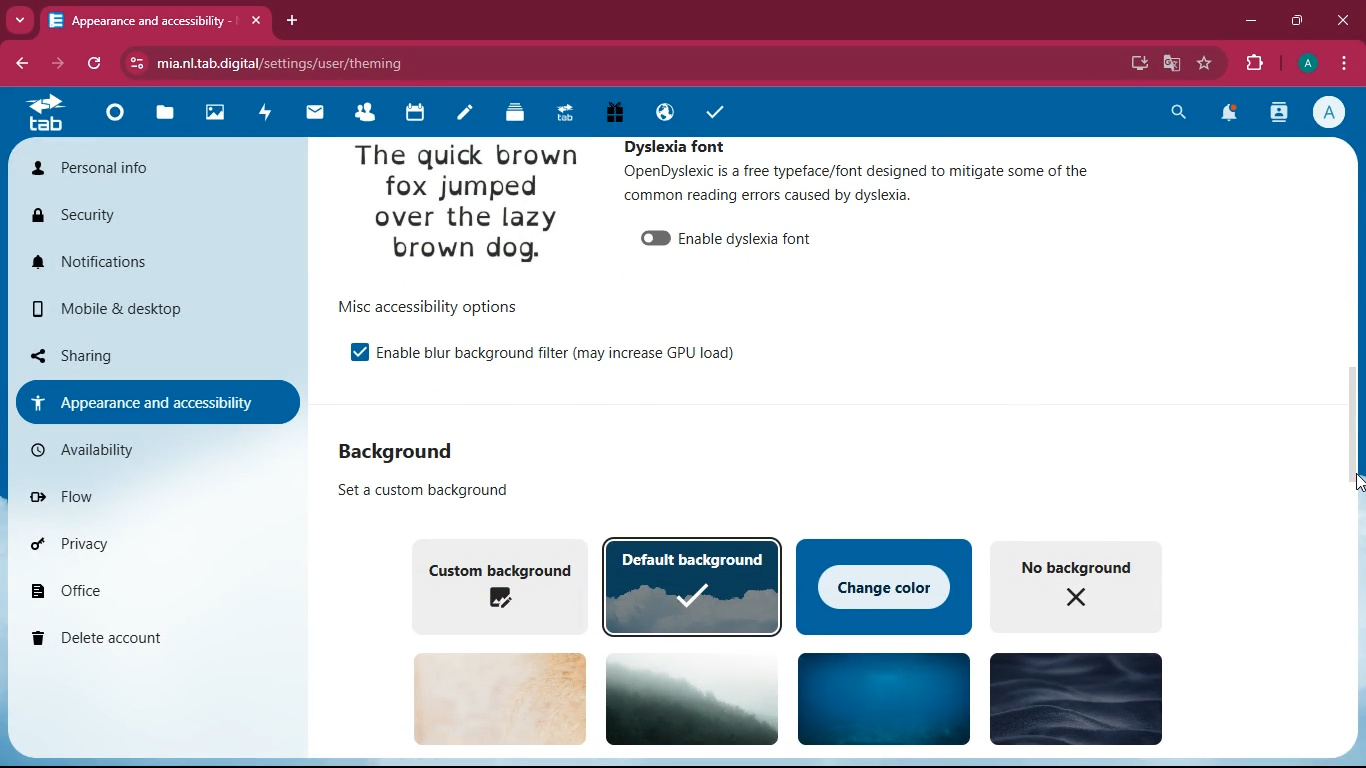  Describe the element at coordinates (145, 640) in the screenshot. I see `delete account` at that location.